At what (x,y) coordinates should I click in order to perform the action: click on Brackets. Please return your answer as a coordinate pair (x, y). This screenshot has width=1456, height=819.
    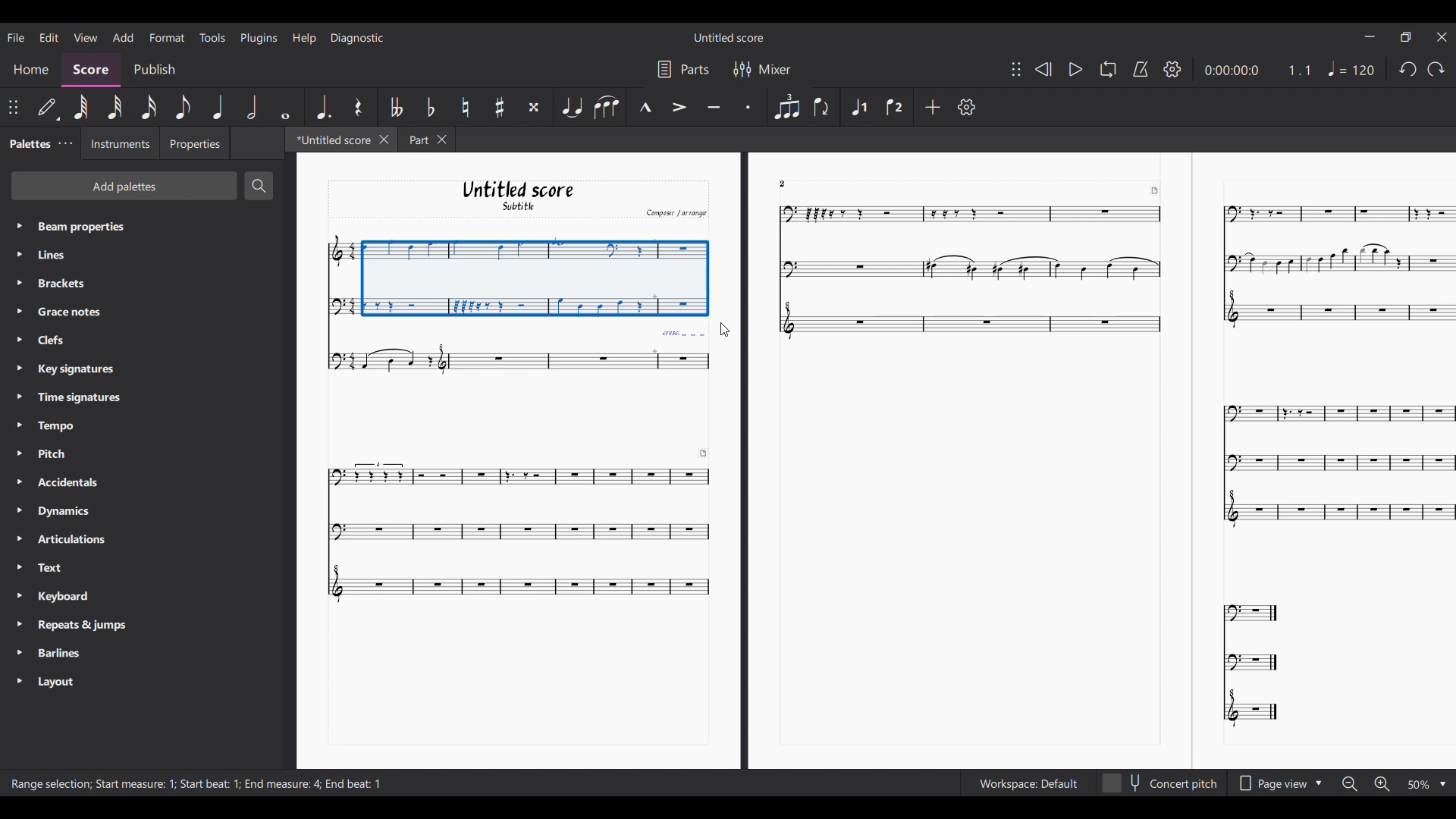
    Looking at the image, I should click on (71, 284).